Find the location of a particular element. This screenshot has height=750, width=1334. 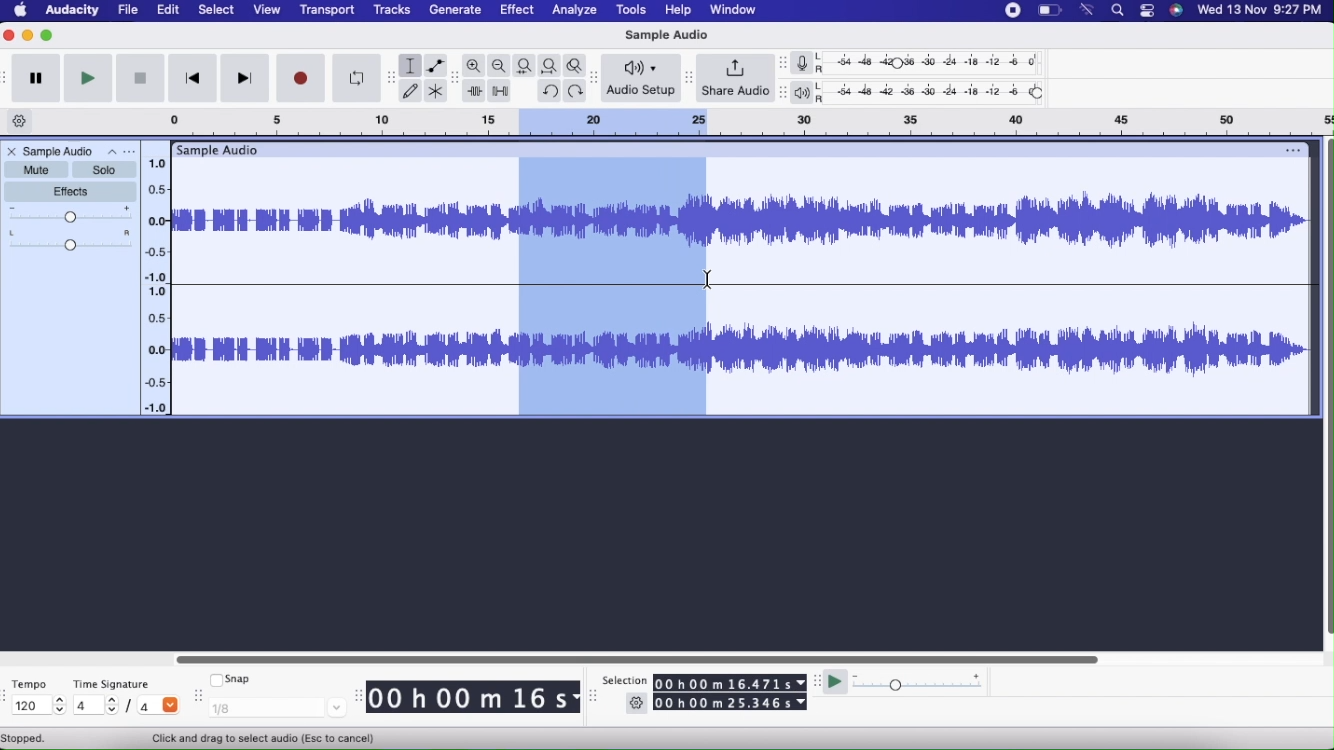

Playback meter is located at coordinates (806, 94).